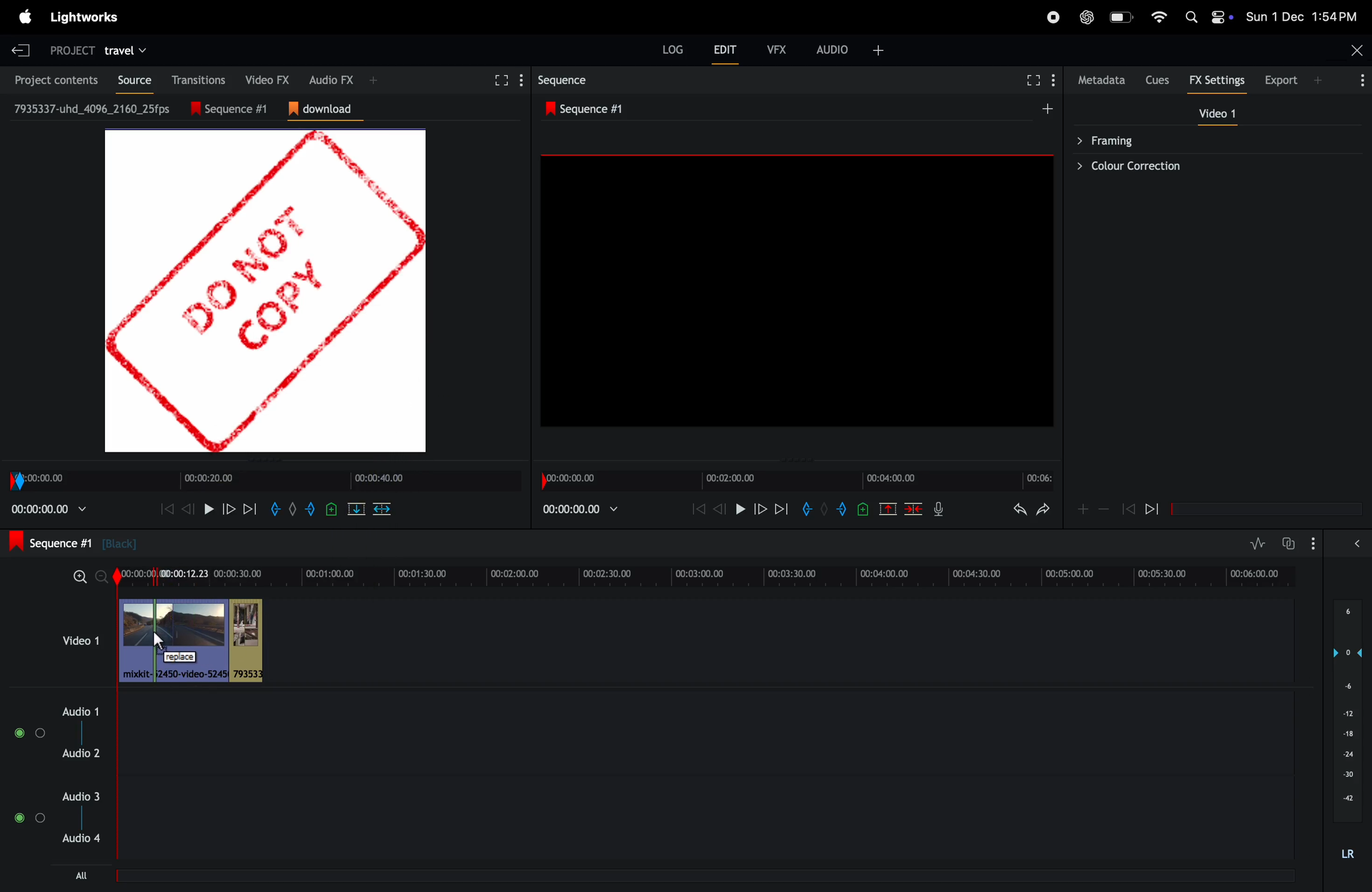 The width and height of the screenshot is (1372, 892). Describe the element at coordinates (293, 509) in the screenshot. I see `Add` at that location.